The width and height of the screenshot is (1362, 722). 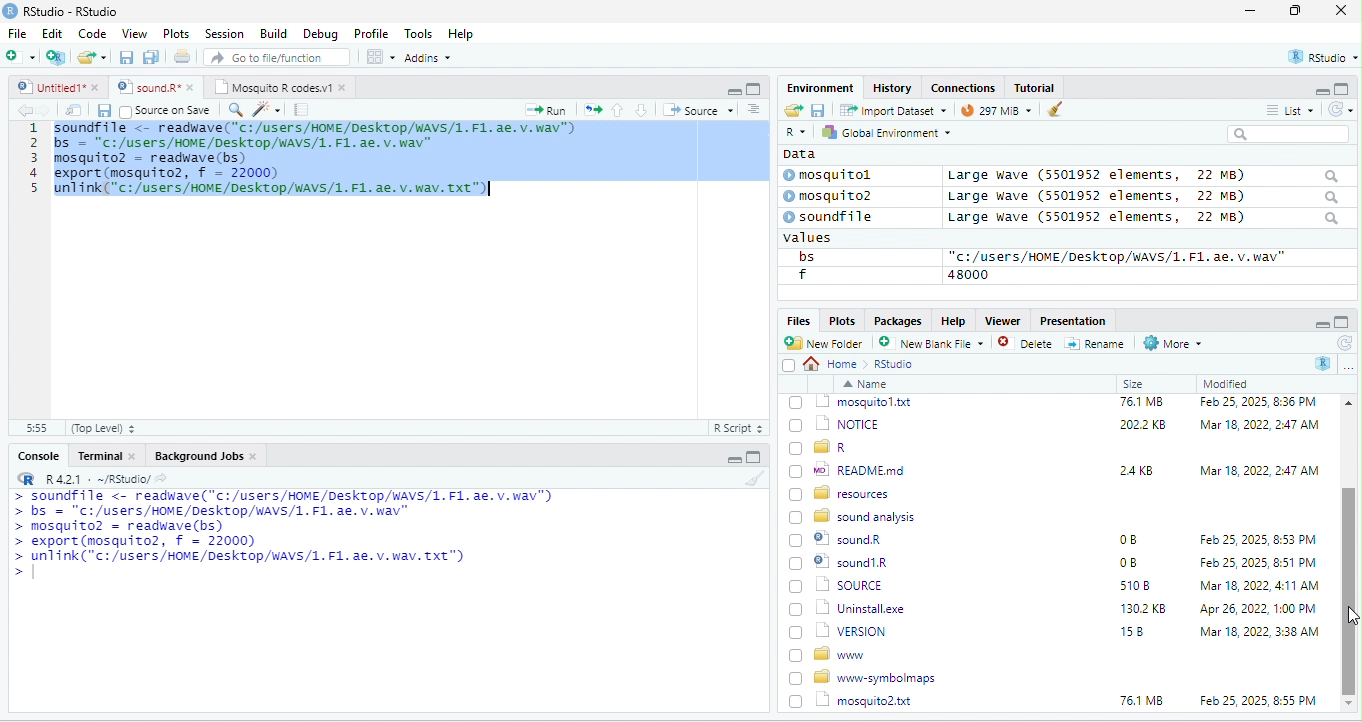 What do you see at coordinates (54, 33) in the screenshot?
I see `Edit` at bounding box center [54, 33].